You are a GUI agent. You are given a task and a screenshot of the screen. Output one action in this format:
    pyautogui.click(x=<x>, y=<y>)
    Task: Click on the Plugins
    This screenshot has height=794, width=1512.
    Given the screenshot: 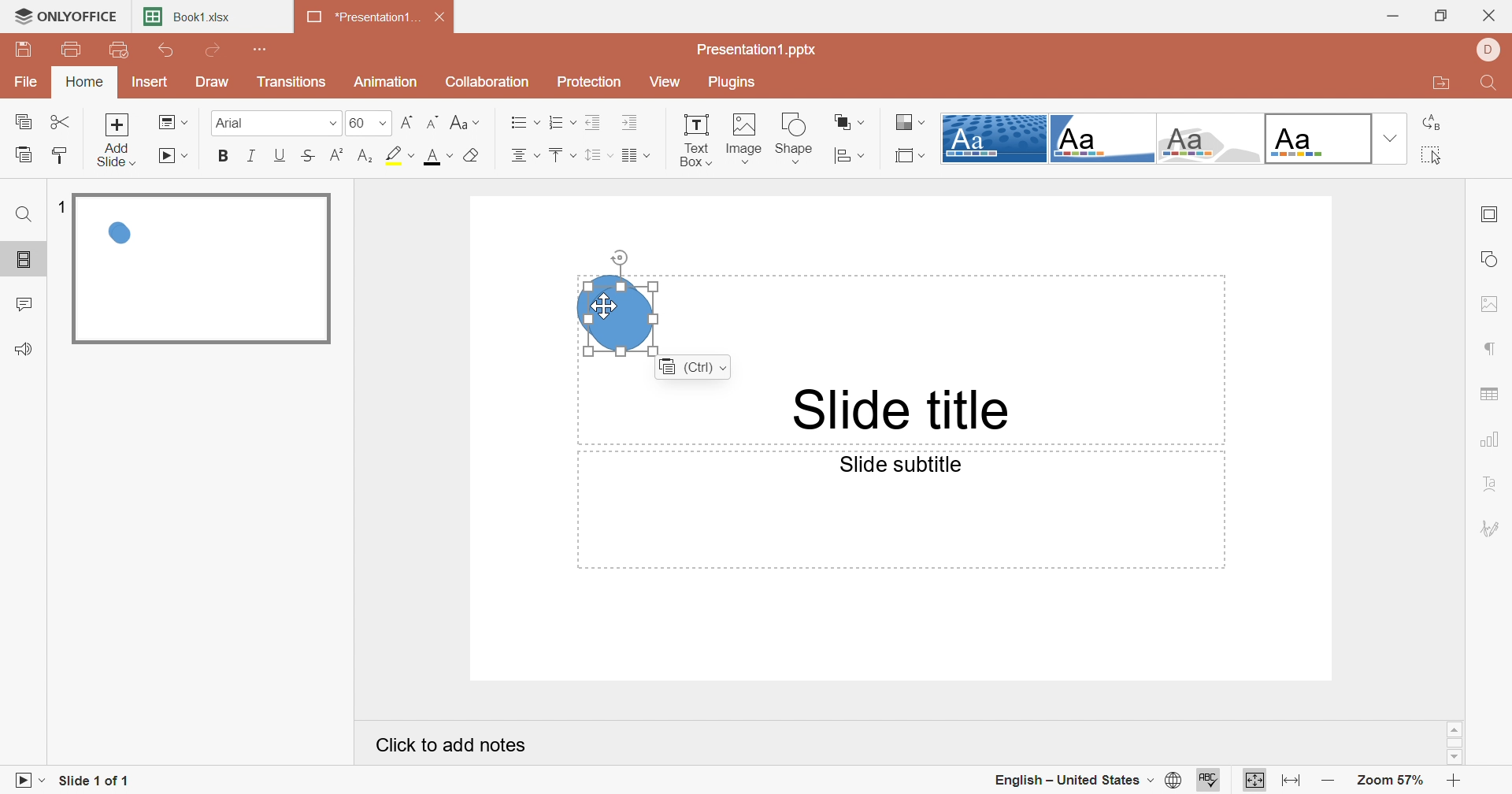 What is the action you would take?
    pyautogui.click(x=733, y=82)
    